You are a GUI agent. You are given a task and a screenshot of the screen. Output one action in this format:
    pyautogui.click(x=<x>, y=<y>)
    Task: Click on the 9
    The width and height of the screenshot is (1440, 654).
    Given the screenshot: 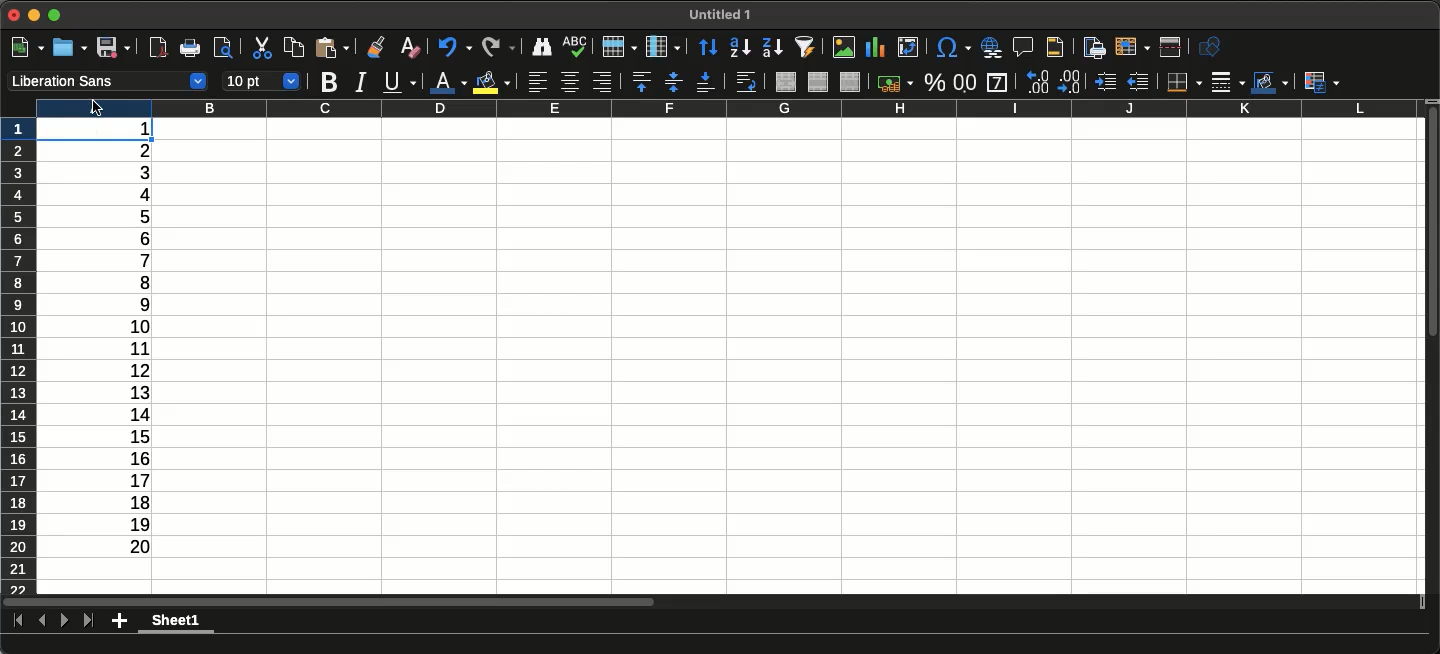 What is the action you would take?
    pyautogui.click(x=131, y=305)
    